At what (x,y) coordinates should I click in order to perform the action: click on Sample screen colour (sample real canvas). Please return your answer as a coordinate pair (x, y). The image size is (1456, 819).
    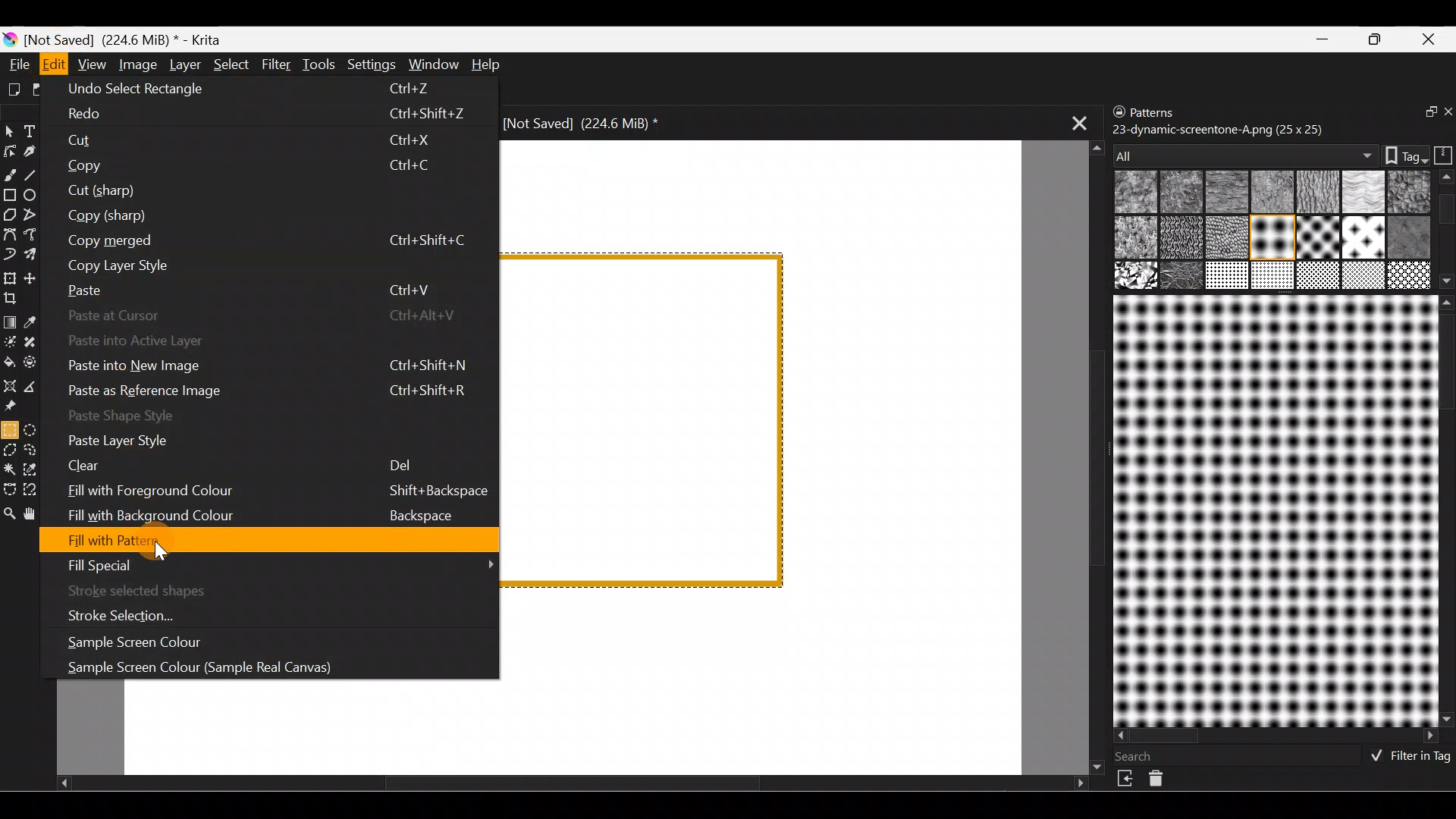
    Looking at the image, I should click on (251, 664).